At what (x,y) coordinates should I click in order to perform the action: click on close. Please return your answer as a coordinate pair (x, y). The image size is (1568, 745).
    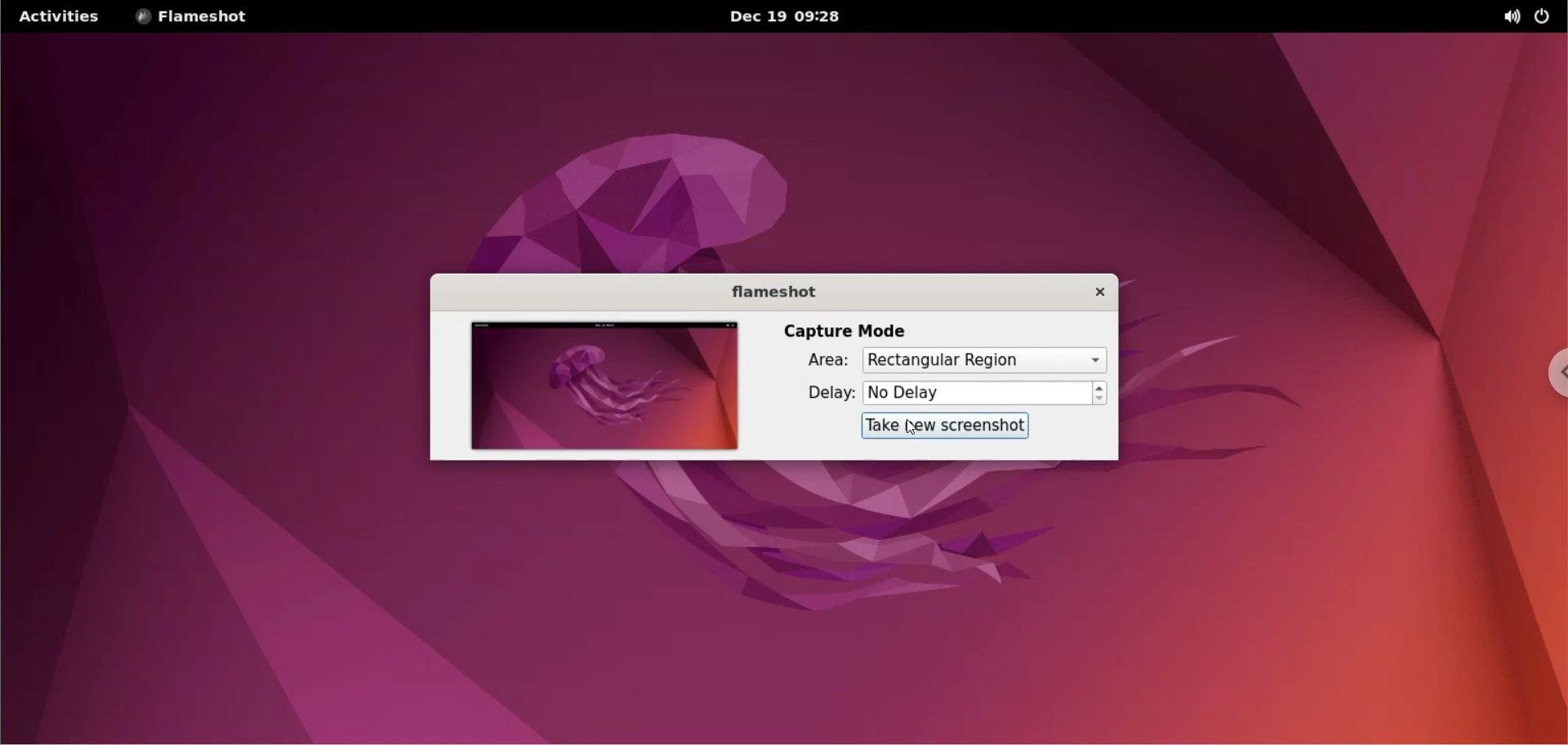
    Looking at the image, I should click on (1100, 294).